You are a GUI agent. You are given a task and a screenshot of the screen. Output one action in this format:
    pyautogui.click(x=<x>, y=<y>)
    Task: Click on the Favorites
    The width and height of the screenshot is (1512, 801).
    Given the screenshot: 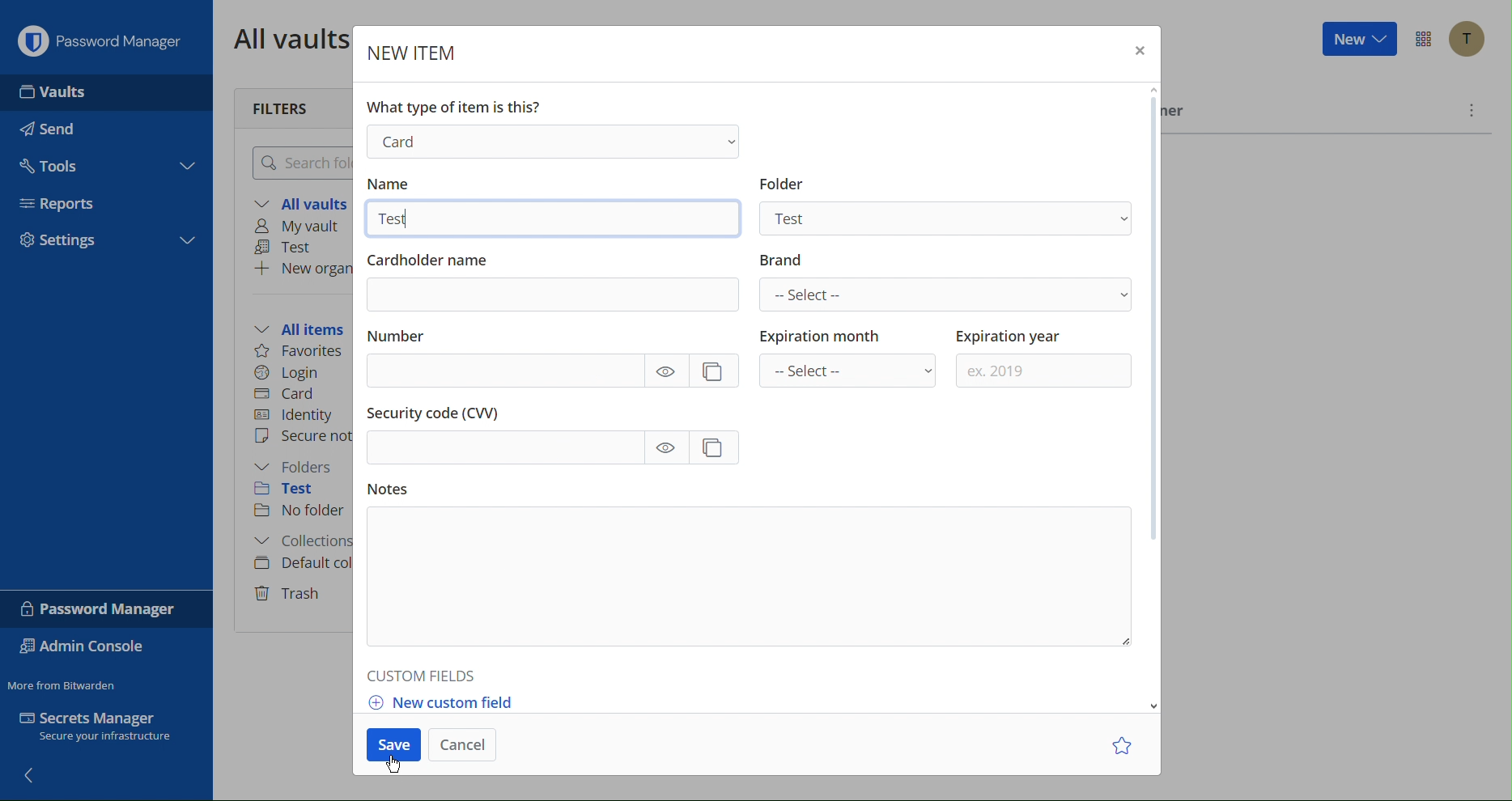 What is the action you would take?
    pyautogui.click(x=303, y=353)
    